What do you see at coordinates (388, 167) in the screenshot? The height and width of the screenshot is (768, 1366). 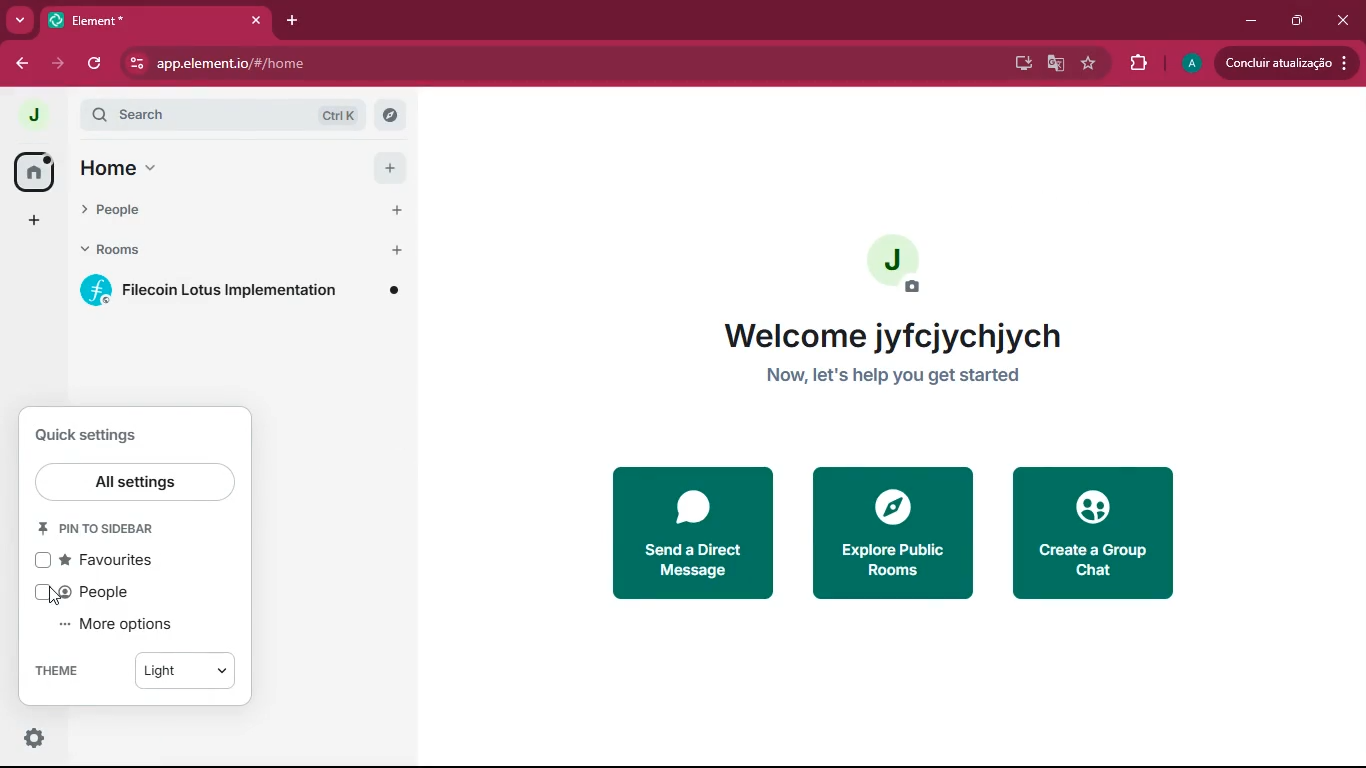 I see `add` at bounding box center [388, 167].